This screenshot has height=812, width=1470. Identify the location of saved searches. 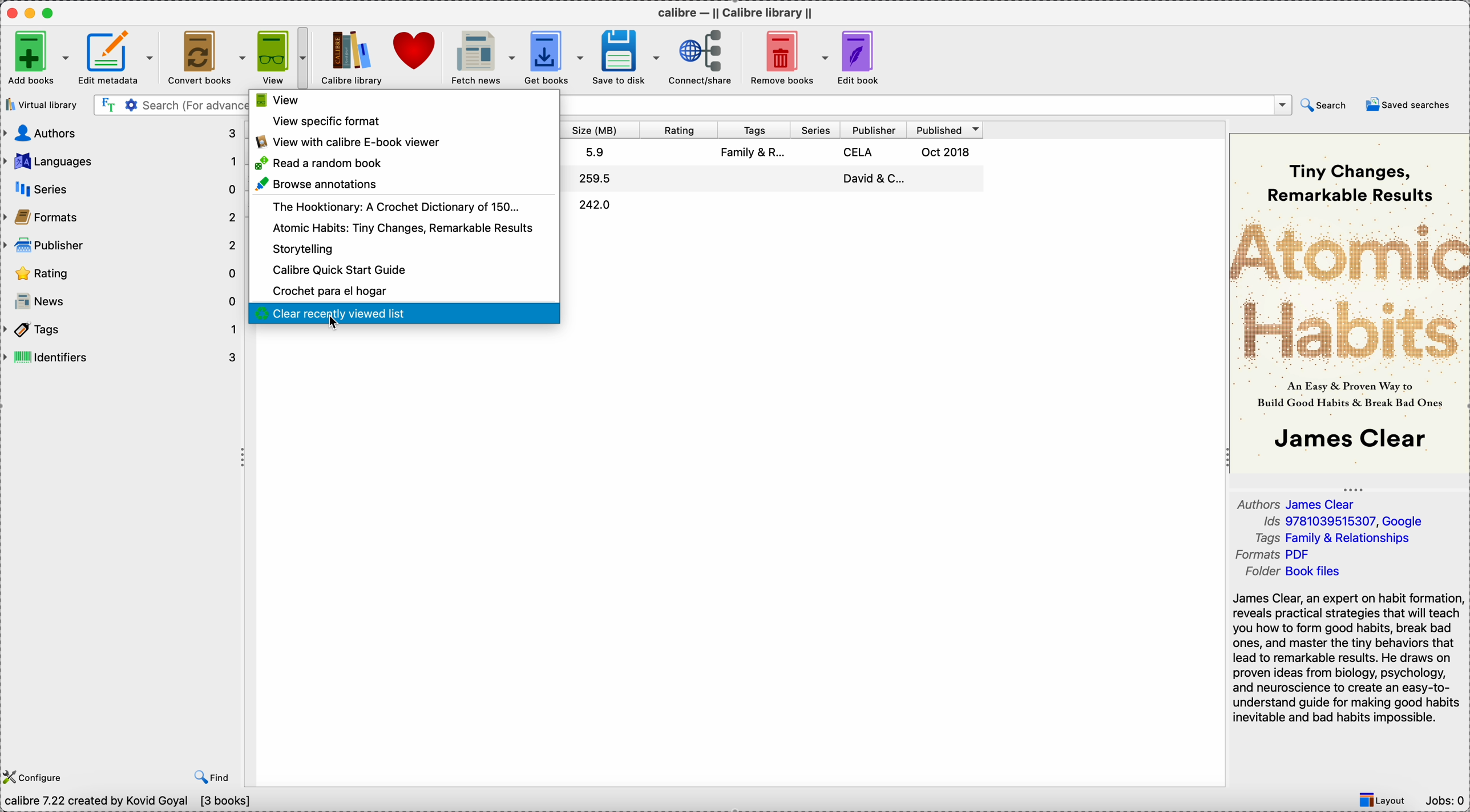
(1407, 106).